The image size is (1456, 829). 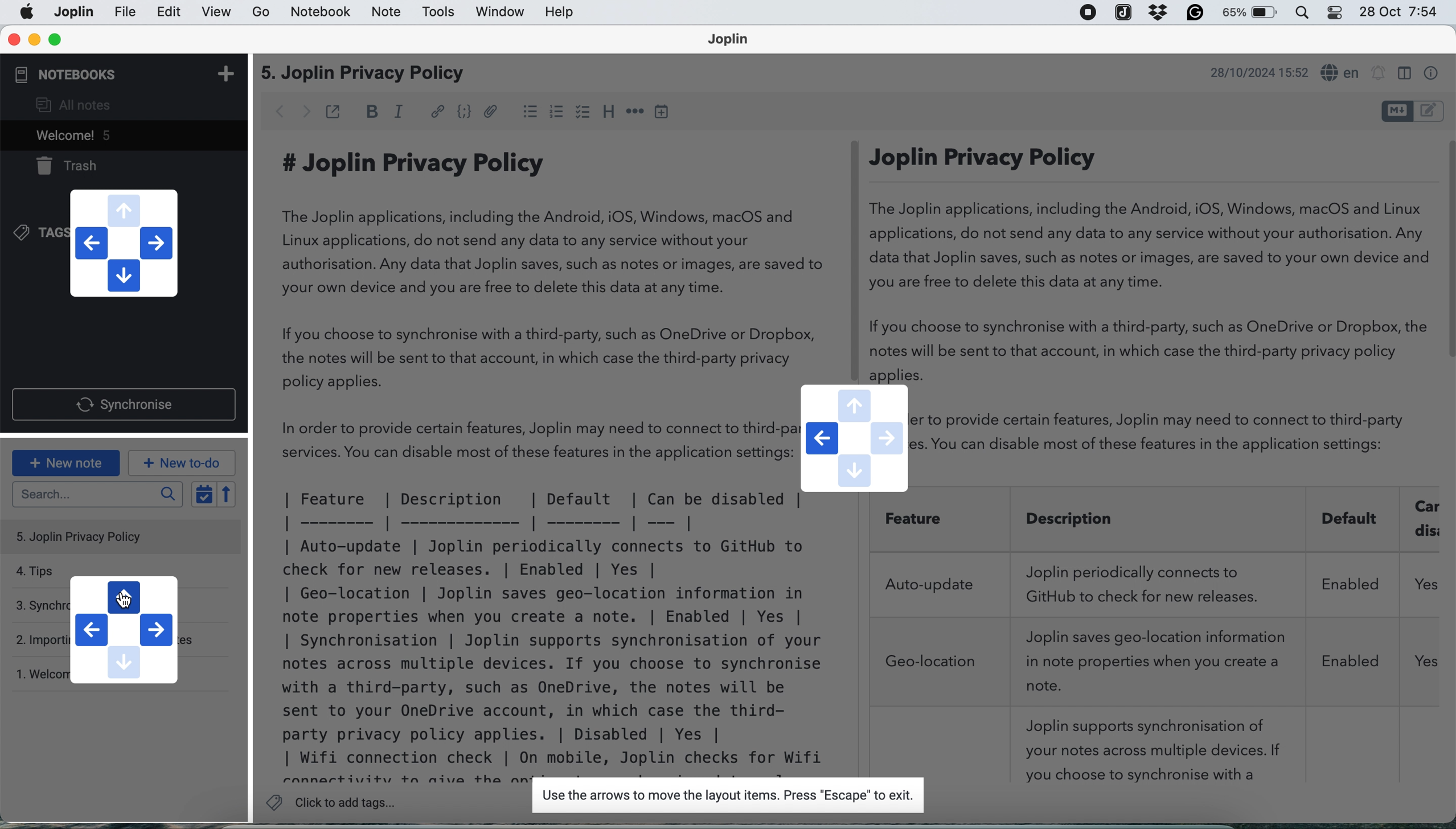 I want to click on navigation buttons, so click(x=854, y=439).